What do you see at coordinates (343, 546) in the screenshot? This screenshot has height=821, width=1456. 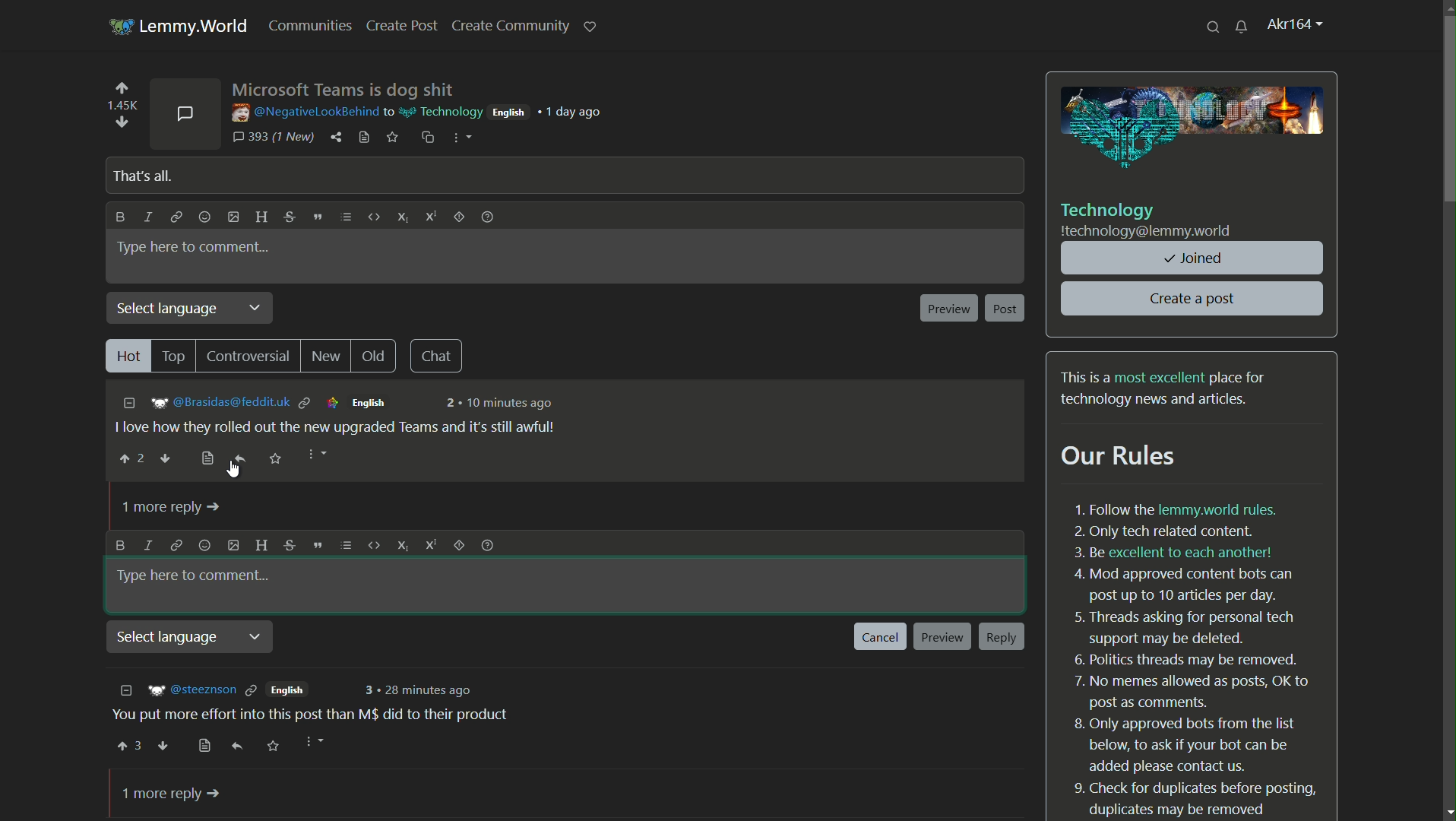 I see `list` at bounding box center [343, 546].